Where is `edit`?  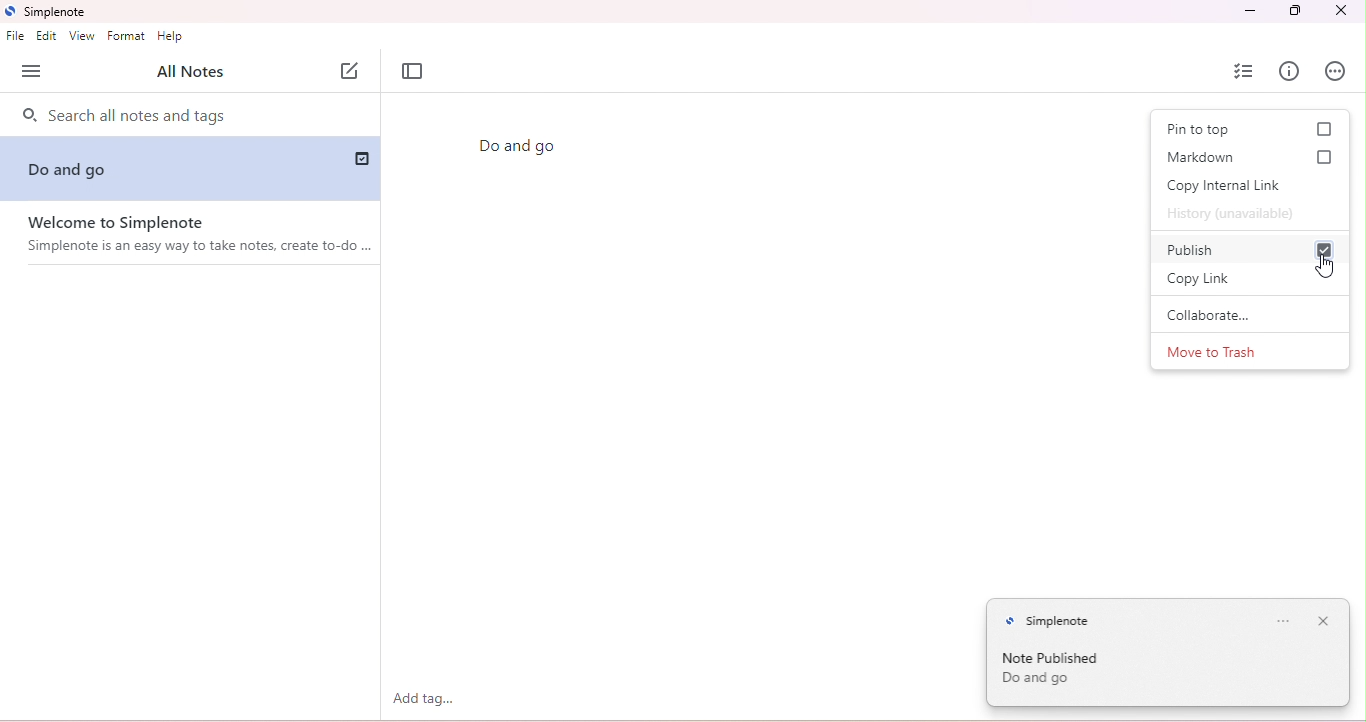
edit is located at coordinates (47, 36).